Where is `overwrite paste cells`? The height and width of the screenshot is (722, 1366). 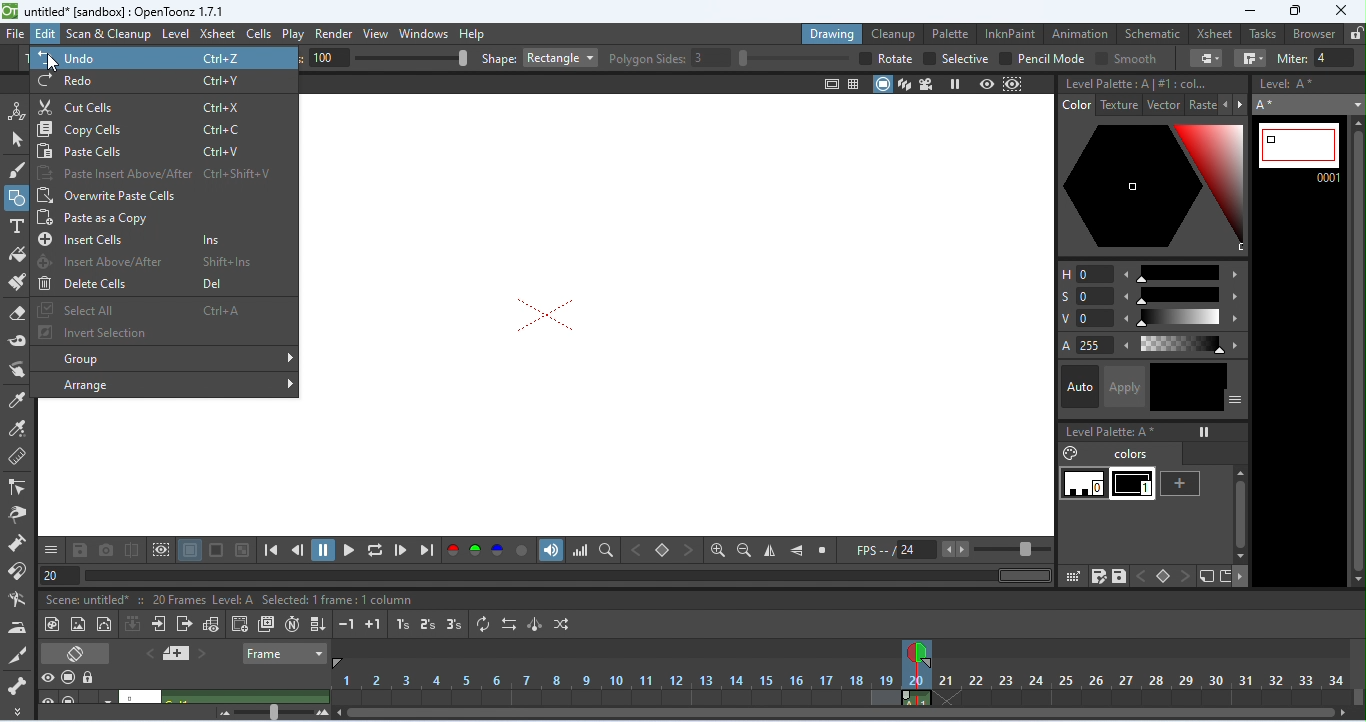 overwrite paste cells is located at coordinates (157, 194).